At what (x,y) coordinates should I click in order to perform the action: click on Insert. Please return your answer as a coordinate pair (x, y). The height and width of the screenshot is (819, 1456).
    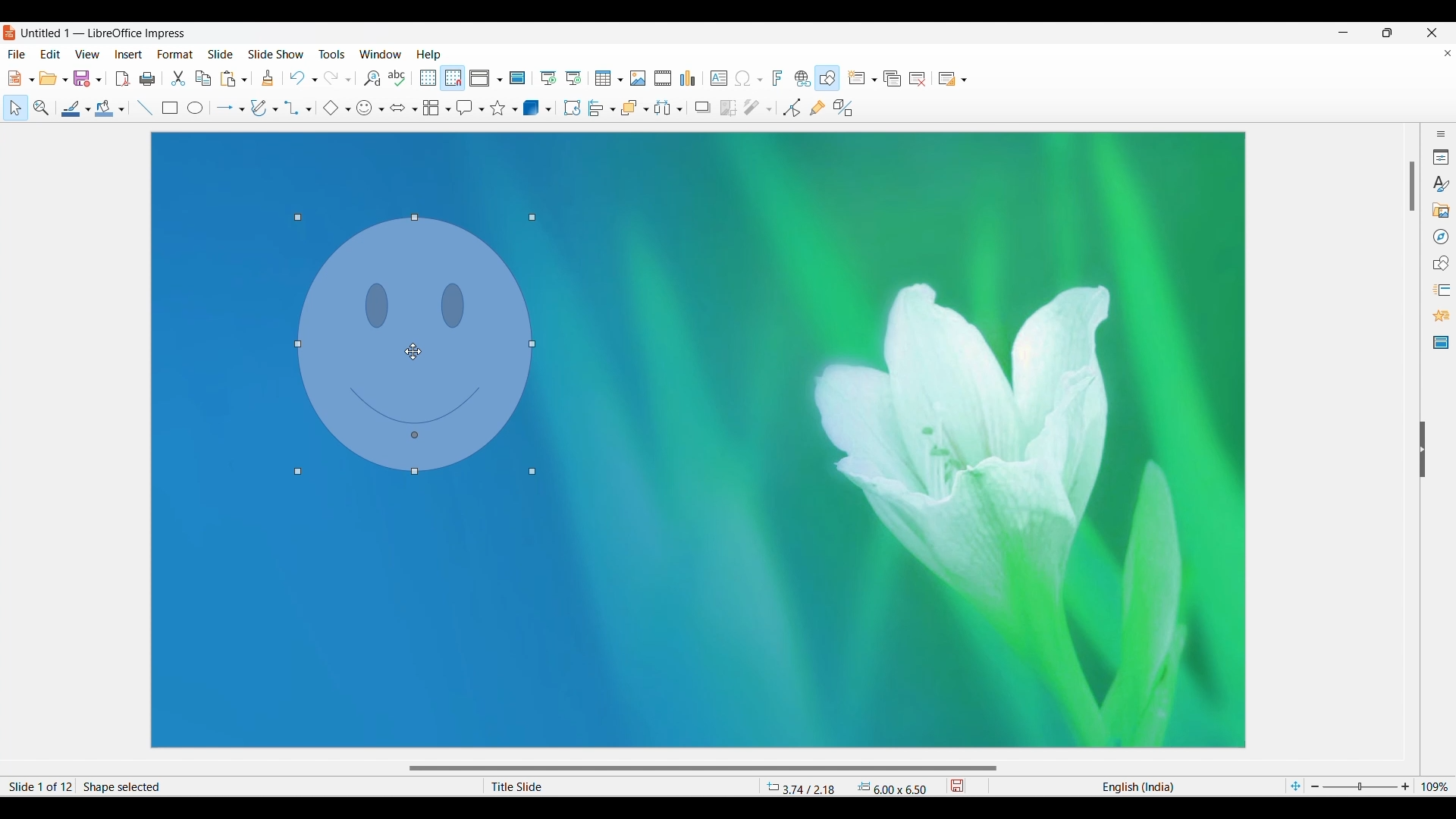
    Looking at the image, I should click on (129, 55).